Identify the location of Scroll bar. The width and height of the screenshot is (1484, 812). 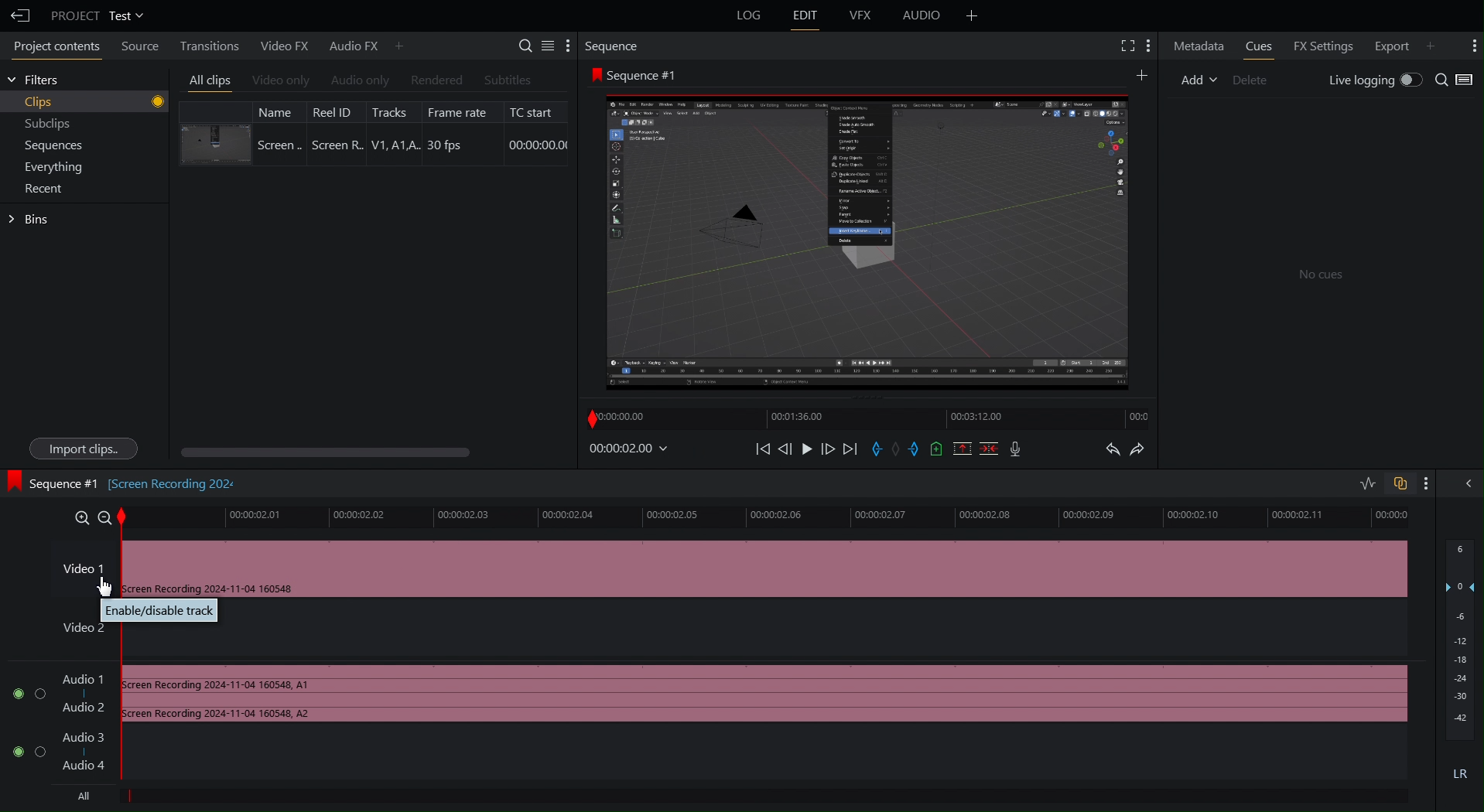
(333, 449).